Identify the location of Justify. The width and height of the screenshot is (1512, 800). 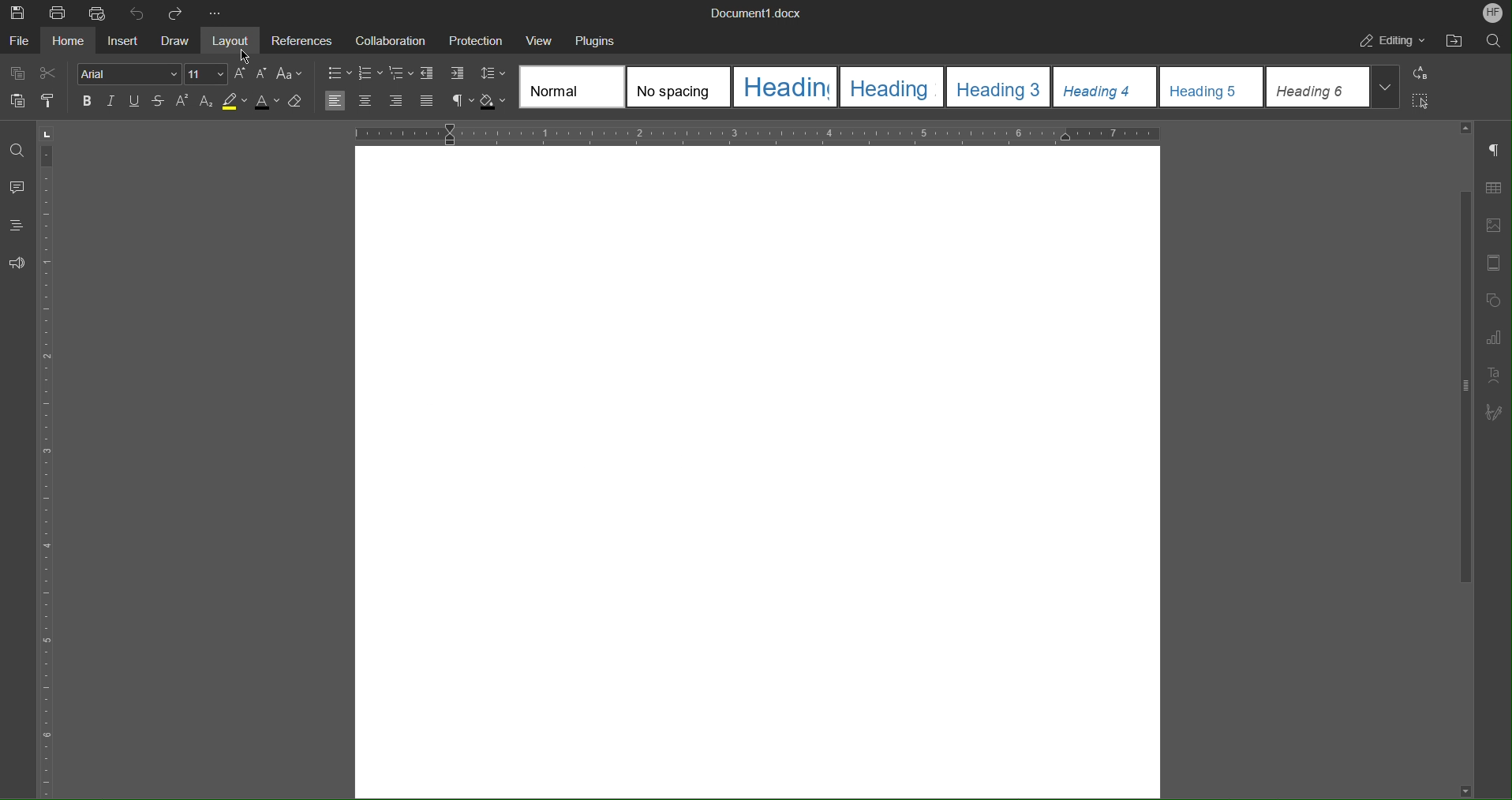
(426, 101).